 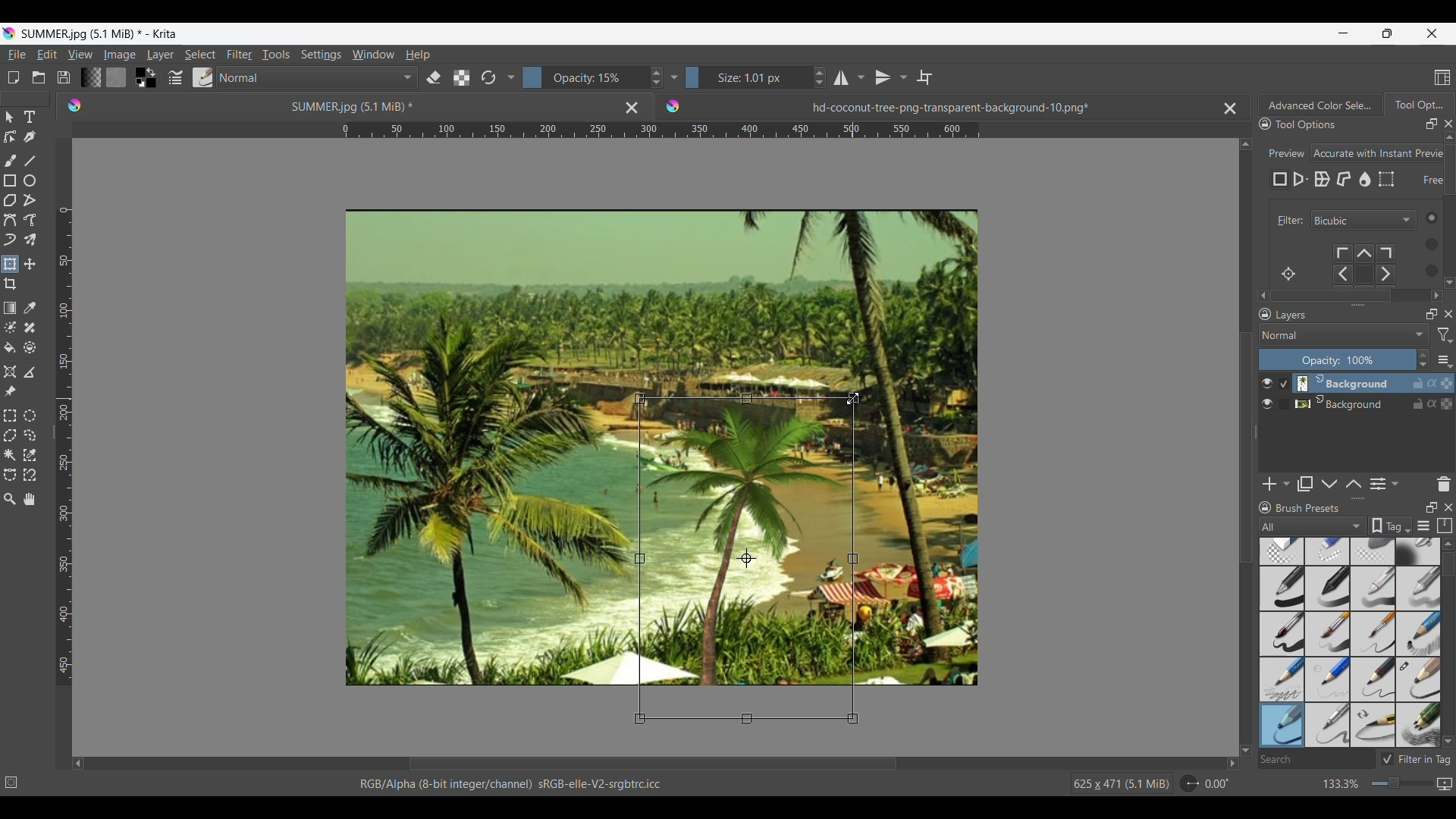 What do you see at coordinates (1423, 190) in the screenshot?
I see `Lock/Unlock y and x co-ordinates` at bounding box center [1423, 190].